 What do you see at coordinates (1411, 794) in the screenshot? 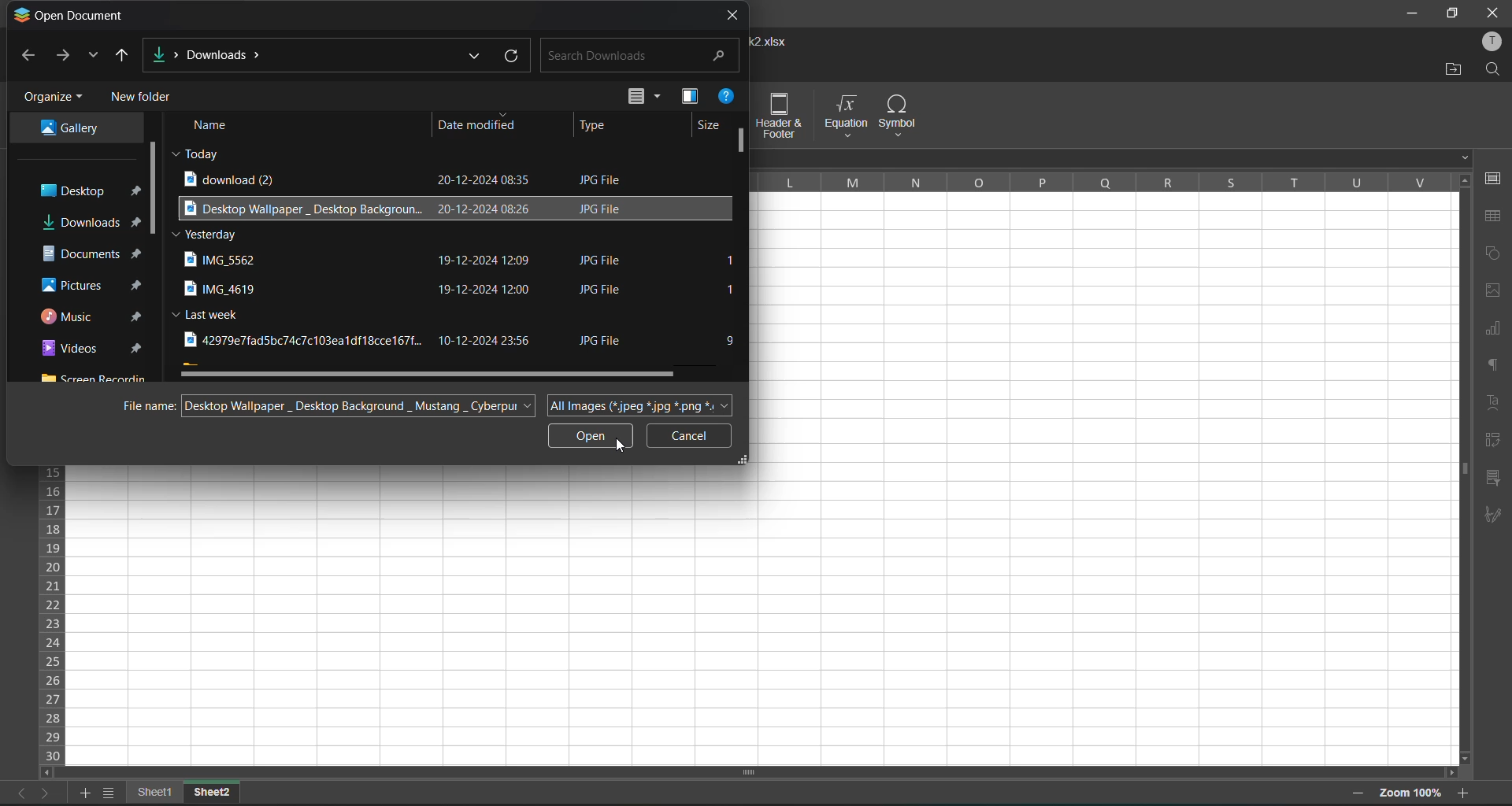
I see `zoom 100%` at bounding box center [1411, 794].